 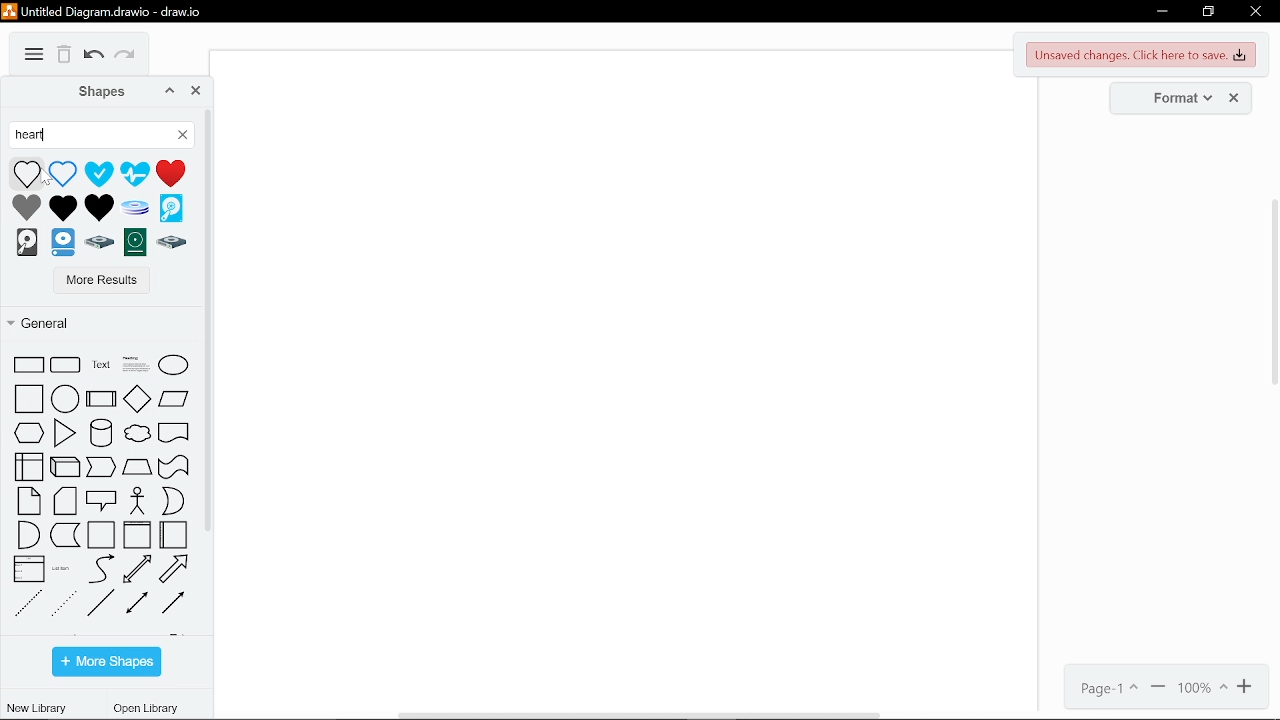 What do you see at coordinates (66, 535) in the screenshot?
I see `data storage` at bounding box center [66, 535].